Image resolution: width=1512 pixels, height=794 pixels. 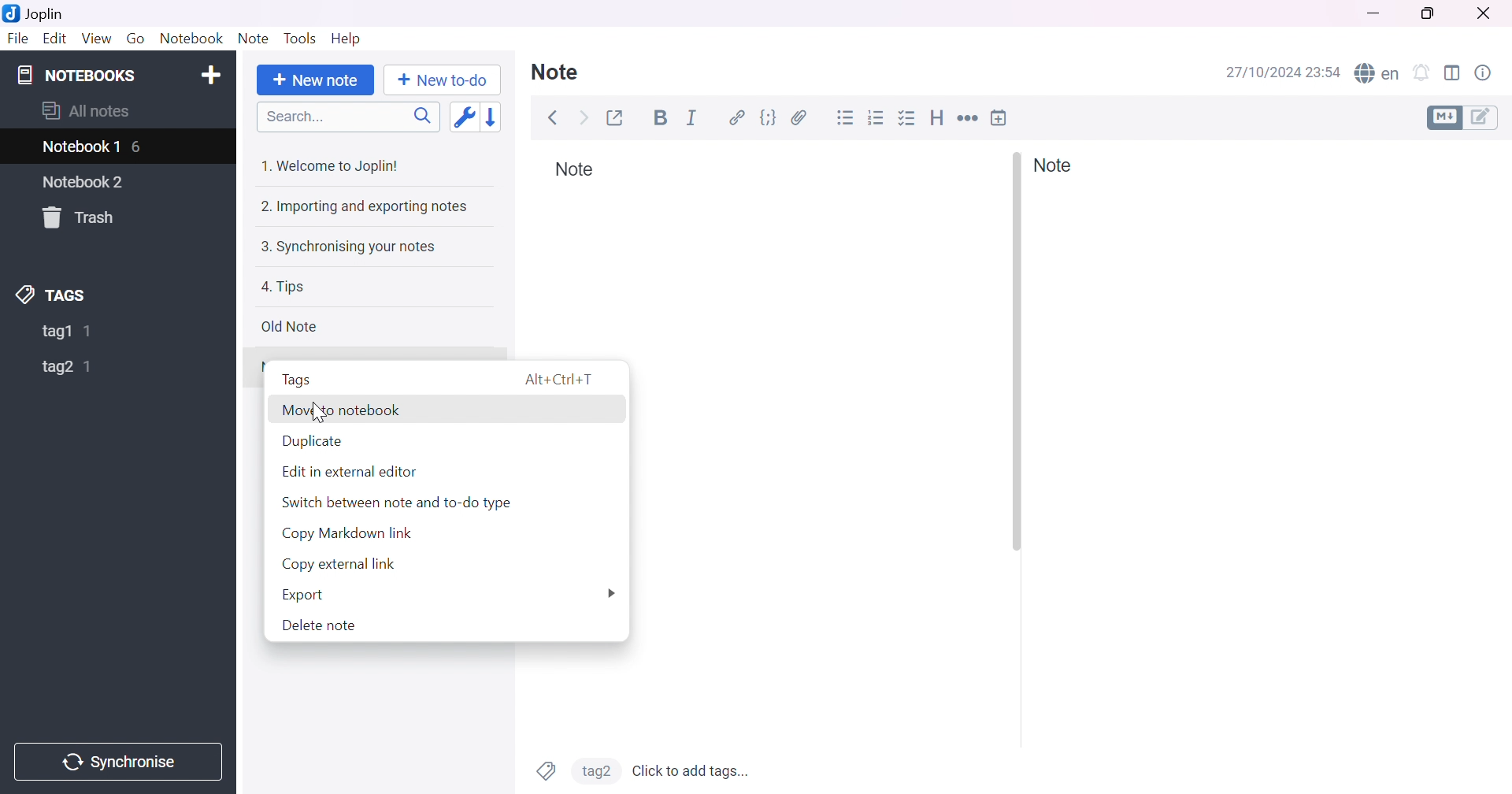 What do you see at coordinates (692, 769) in the screenshot?
I see `Click to add tags` at bounding box center [692, 769].